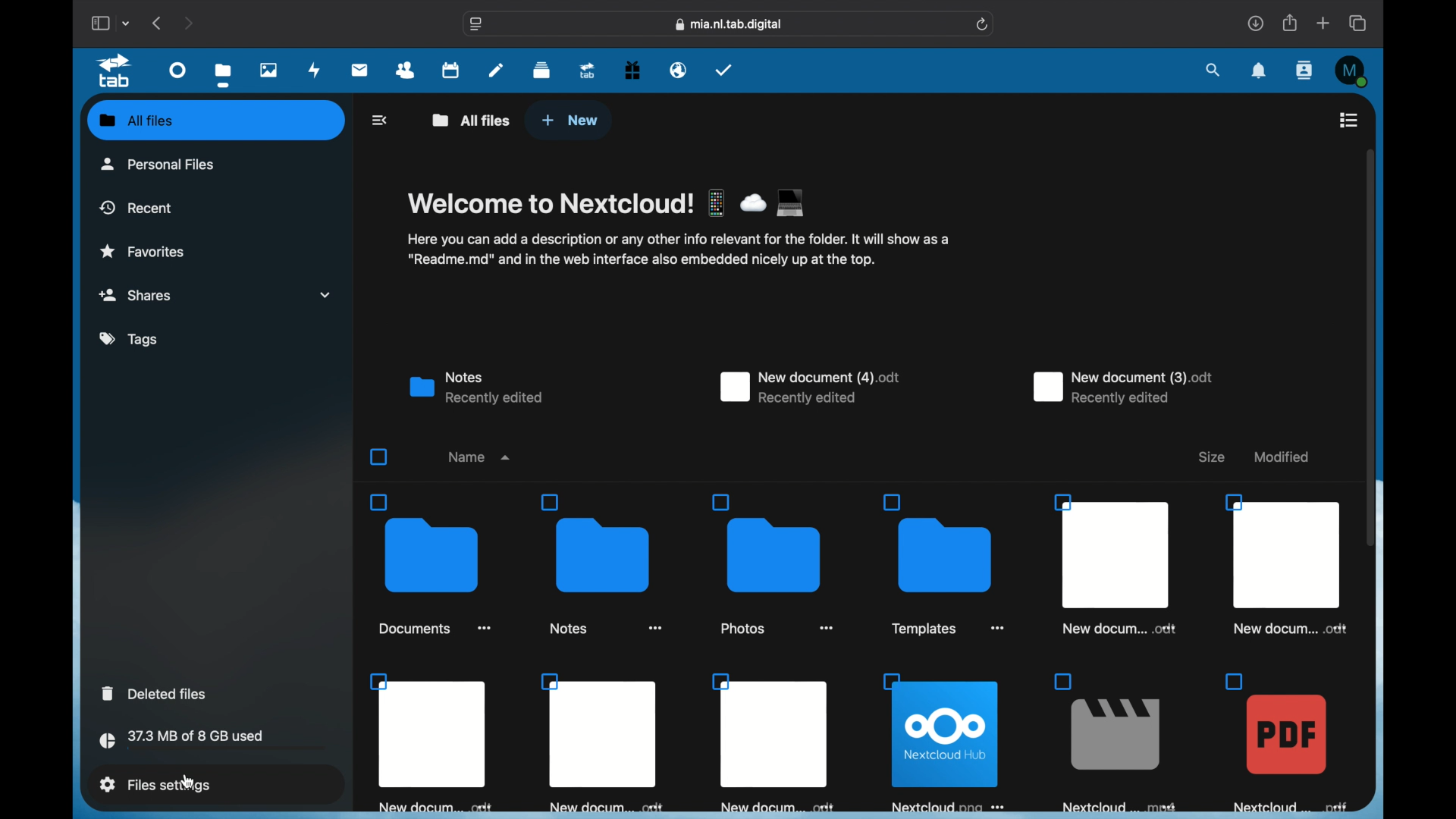 The width and height of the screenshot is (1456, 819). I want to click on tab, so click(588, 71).